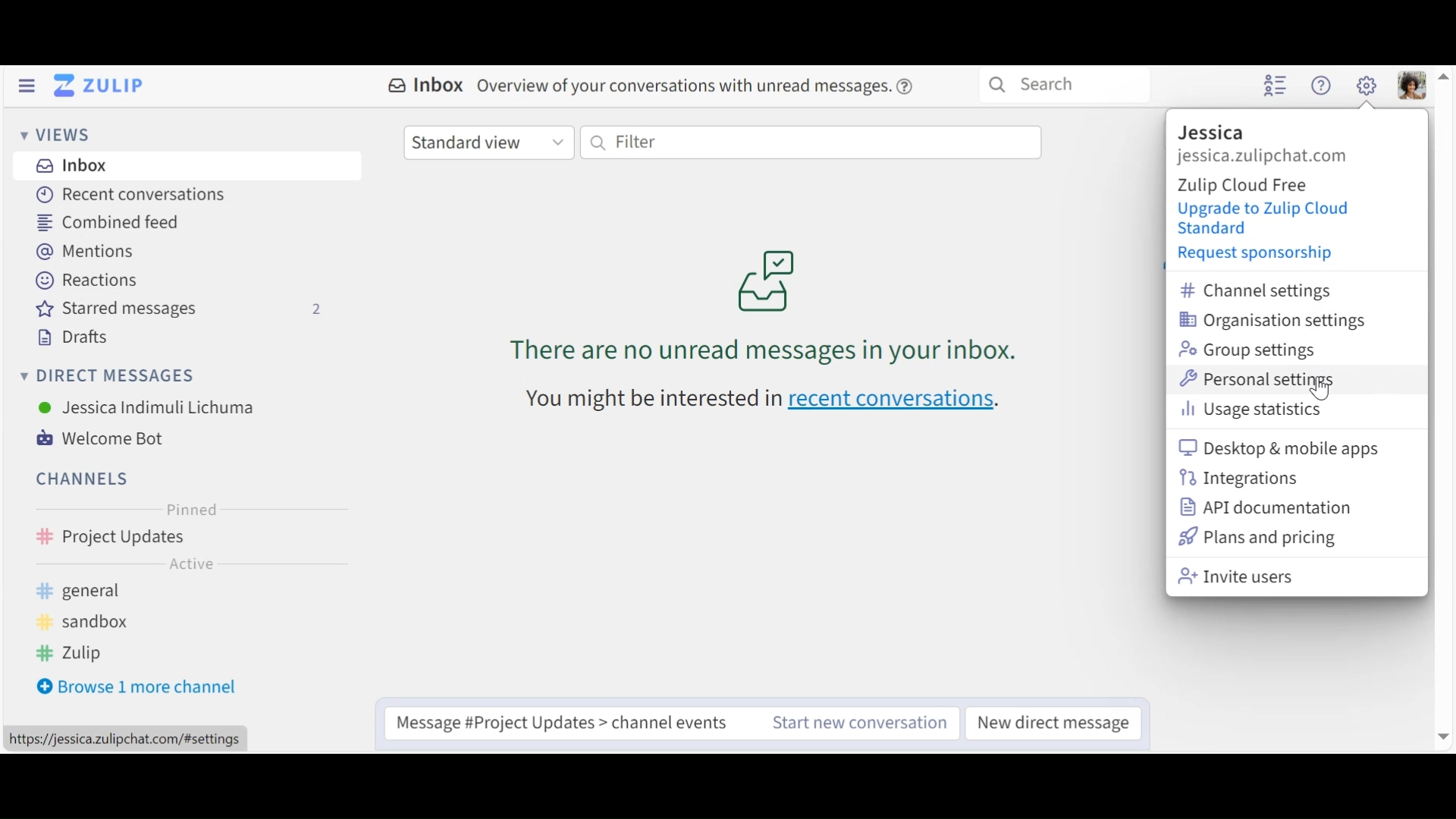 The image size is (1456, 819). I want to click on Hide user list, so click(1275, 86).